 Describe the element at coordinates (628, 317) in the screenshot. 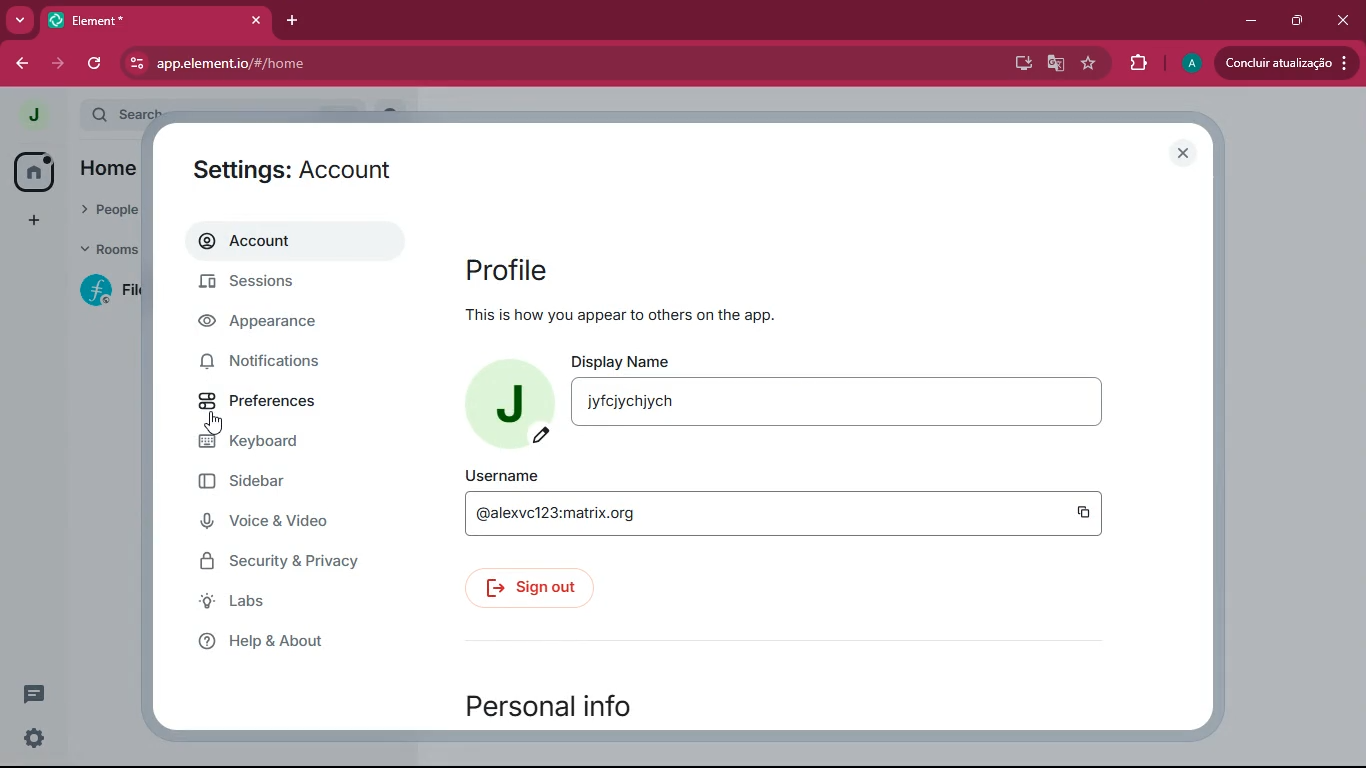

I see `This is how you appear to others on the app.` at that location.